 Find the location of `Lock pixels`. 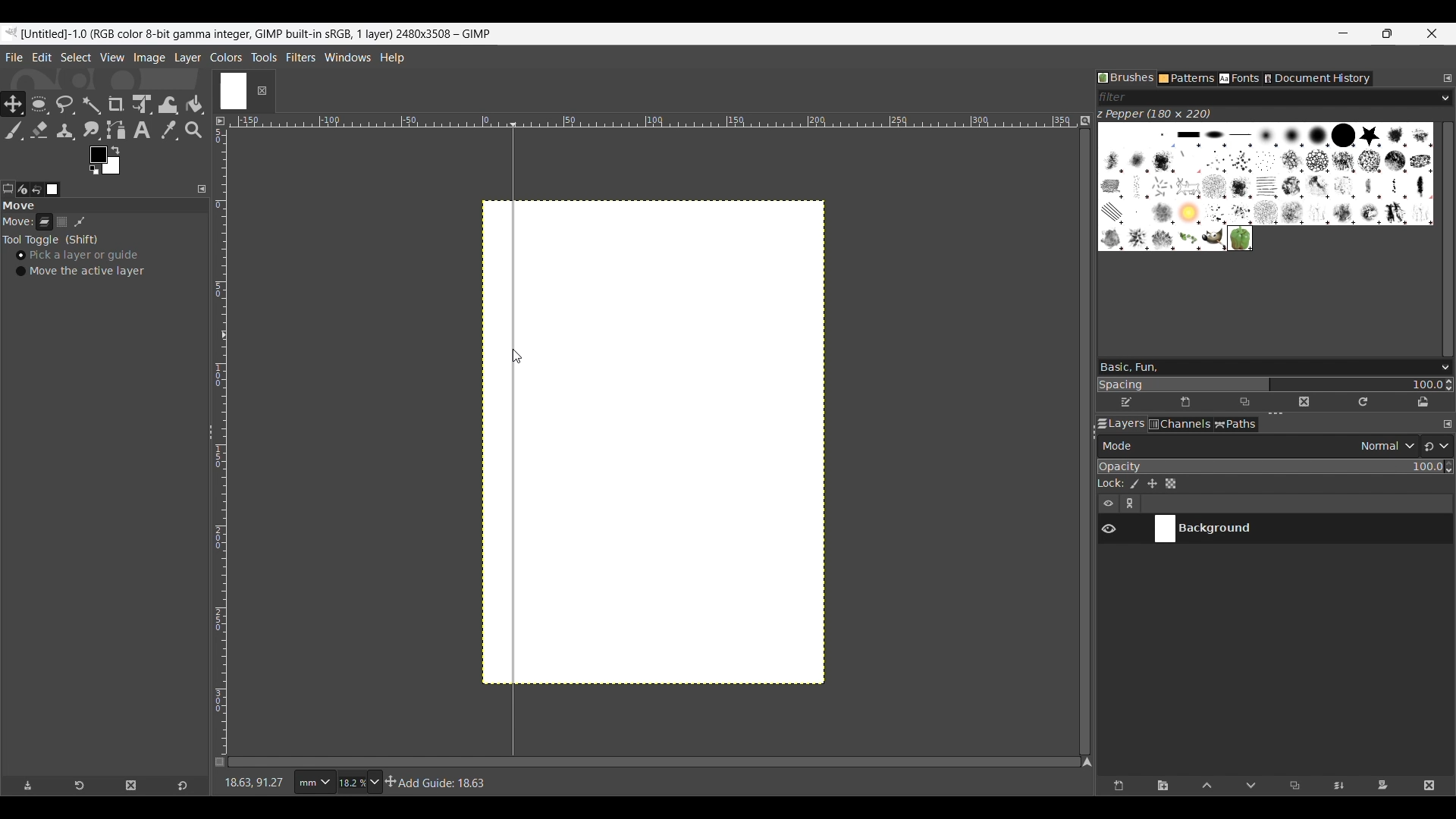

Lock pixels is located at coordinates (1134, 484).